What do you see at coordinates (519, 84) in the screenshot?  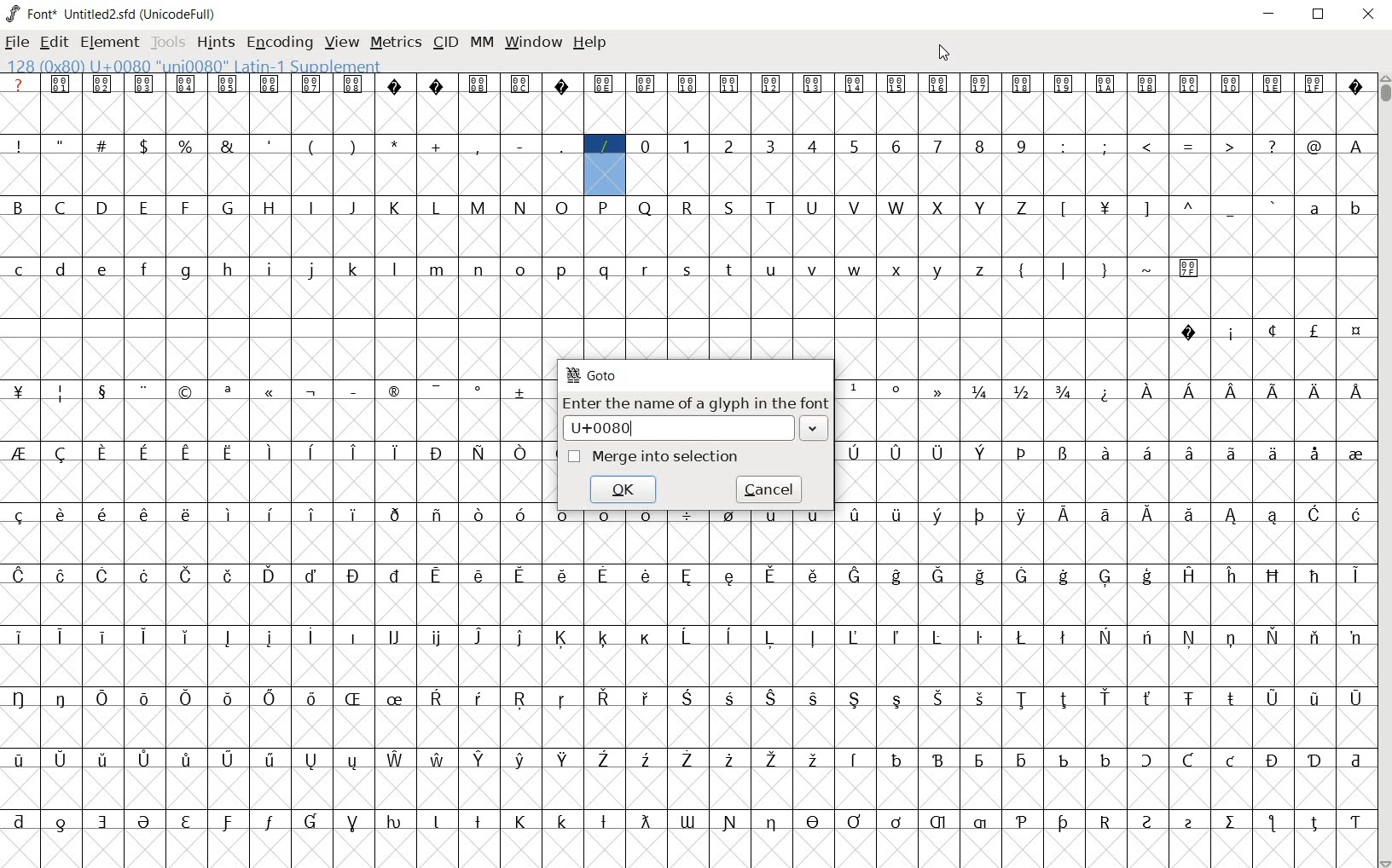 I see `glyph` at bounding box center [519, 84].